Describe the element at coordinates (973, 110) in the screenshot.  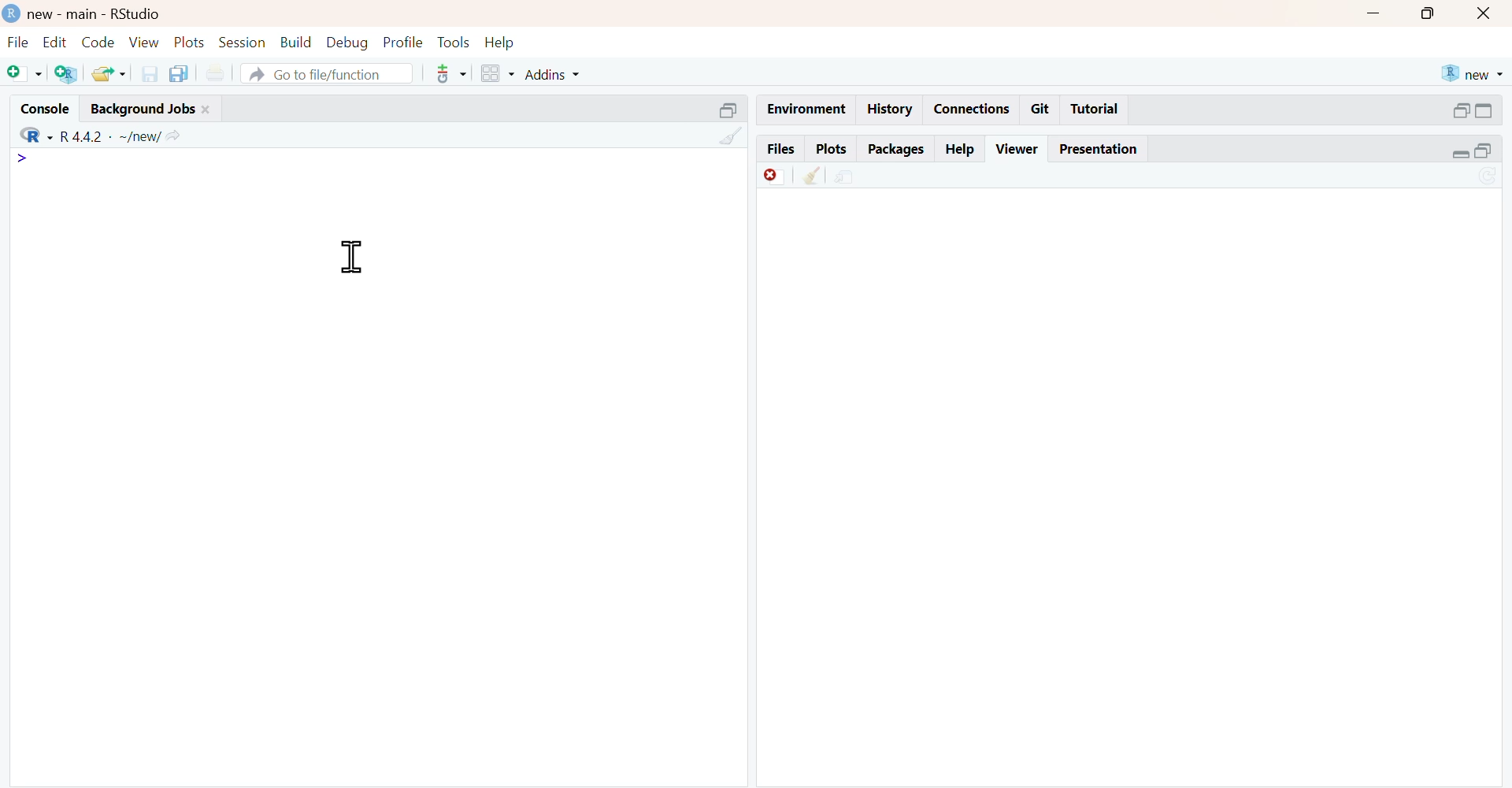
I see `connections` at that location.